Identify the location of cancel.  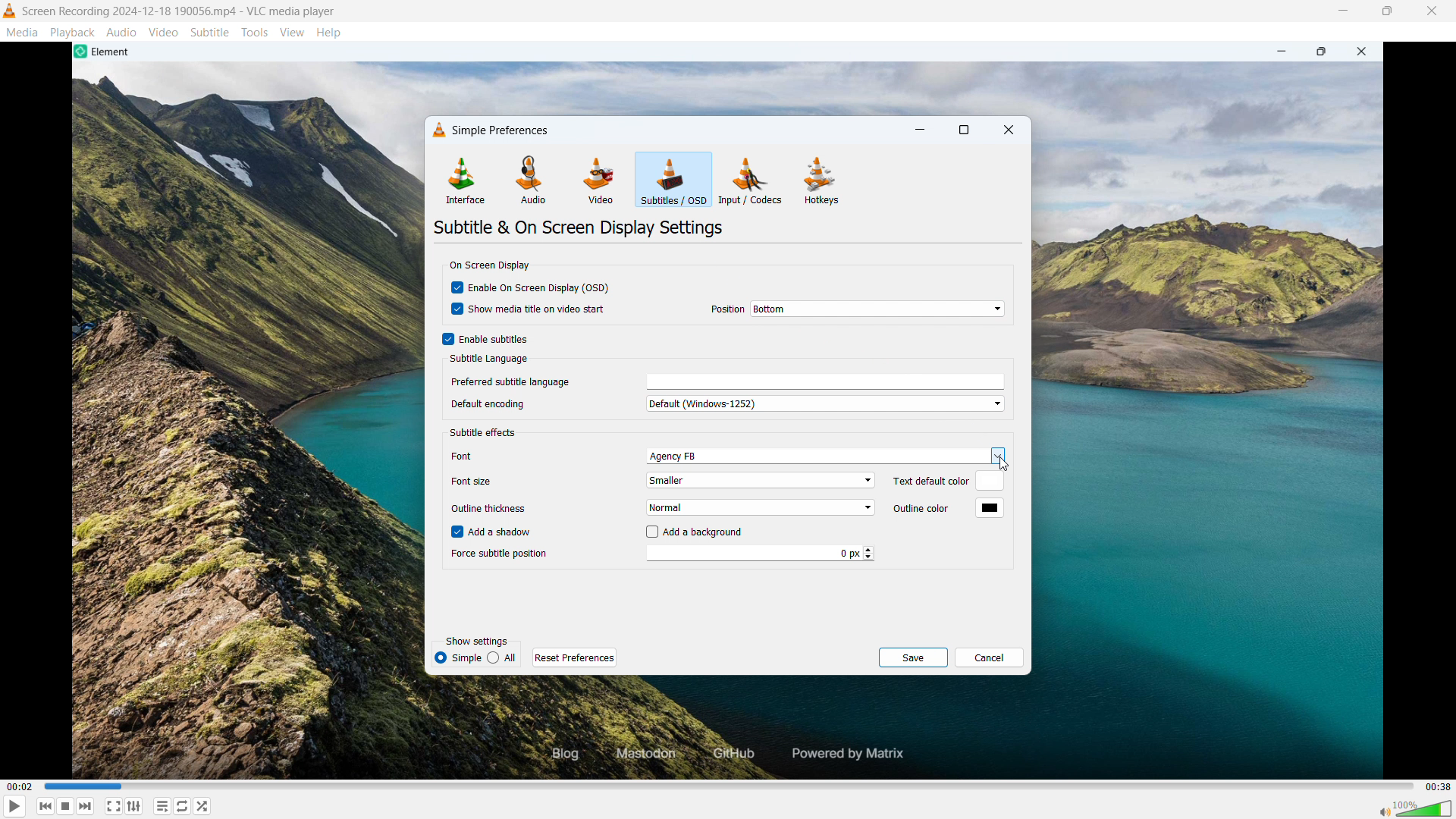
(990, 657).